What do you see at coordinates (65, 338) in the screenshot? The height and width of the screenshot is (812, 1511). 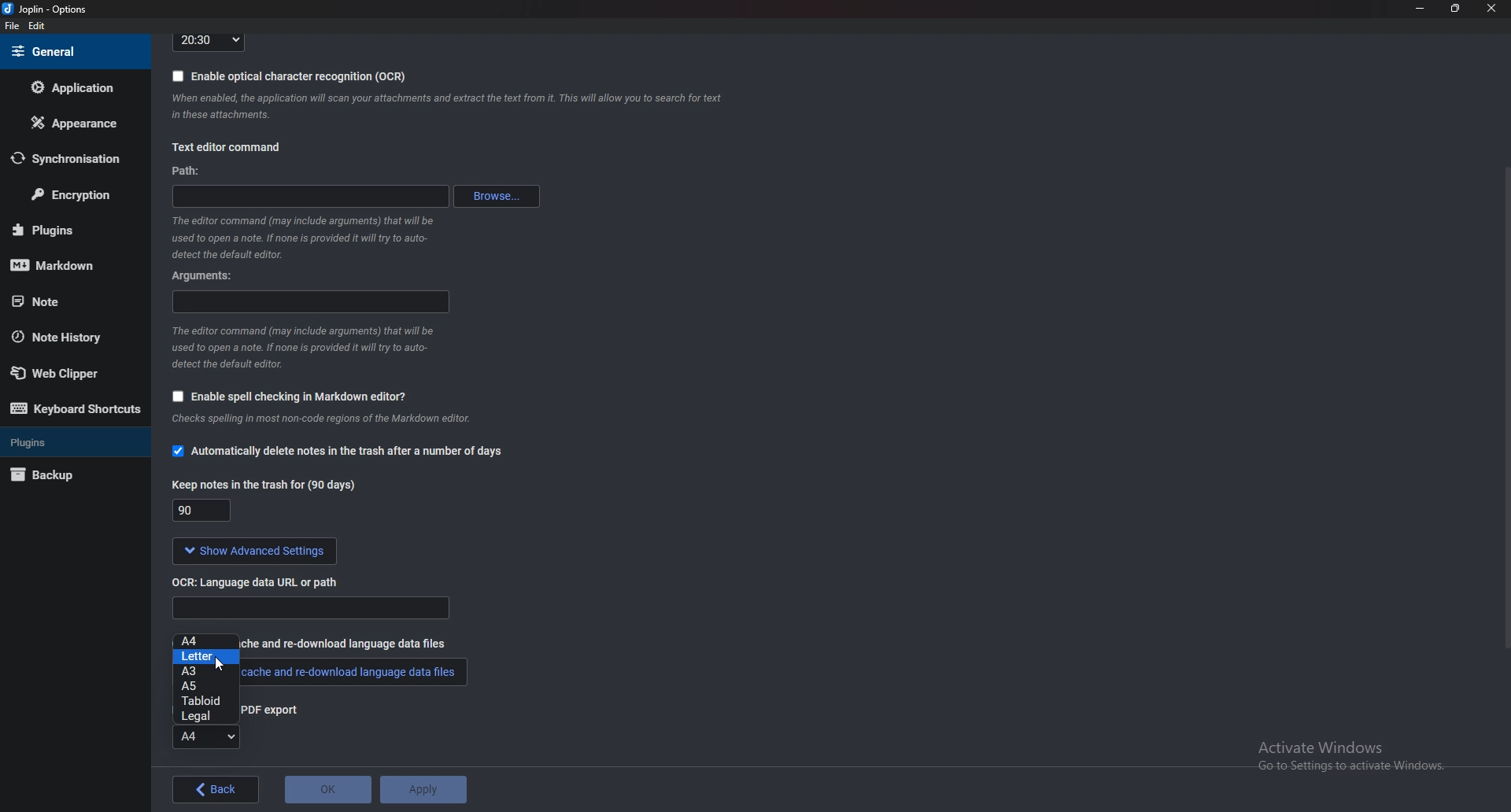 I see `Note history` at bounding box center [65, 338].